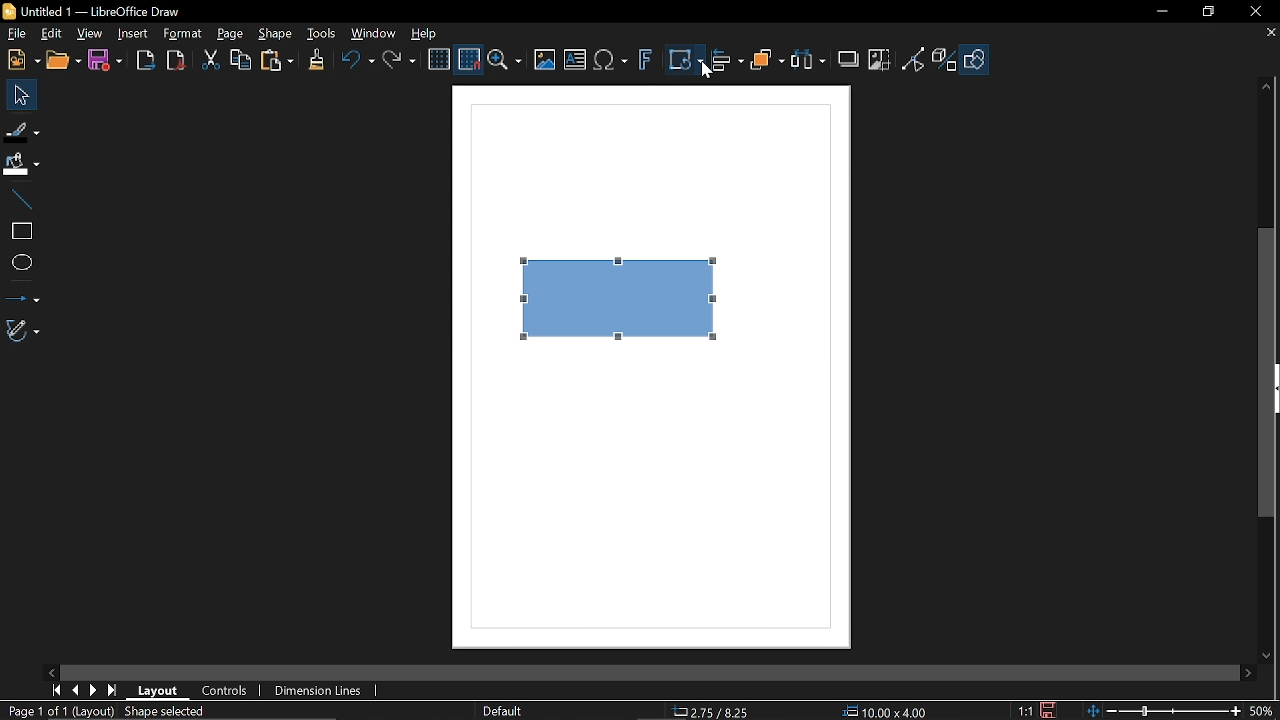  What do you see at coordinates (20, 165) in the screenshot?
I see `Fill color` at bounding box center [20, 165].